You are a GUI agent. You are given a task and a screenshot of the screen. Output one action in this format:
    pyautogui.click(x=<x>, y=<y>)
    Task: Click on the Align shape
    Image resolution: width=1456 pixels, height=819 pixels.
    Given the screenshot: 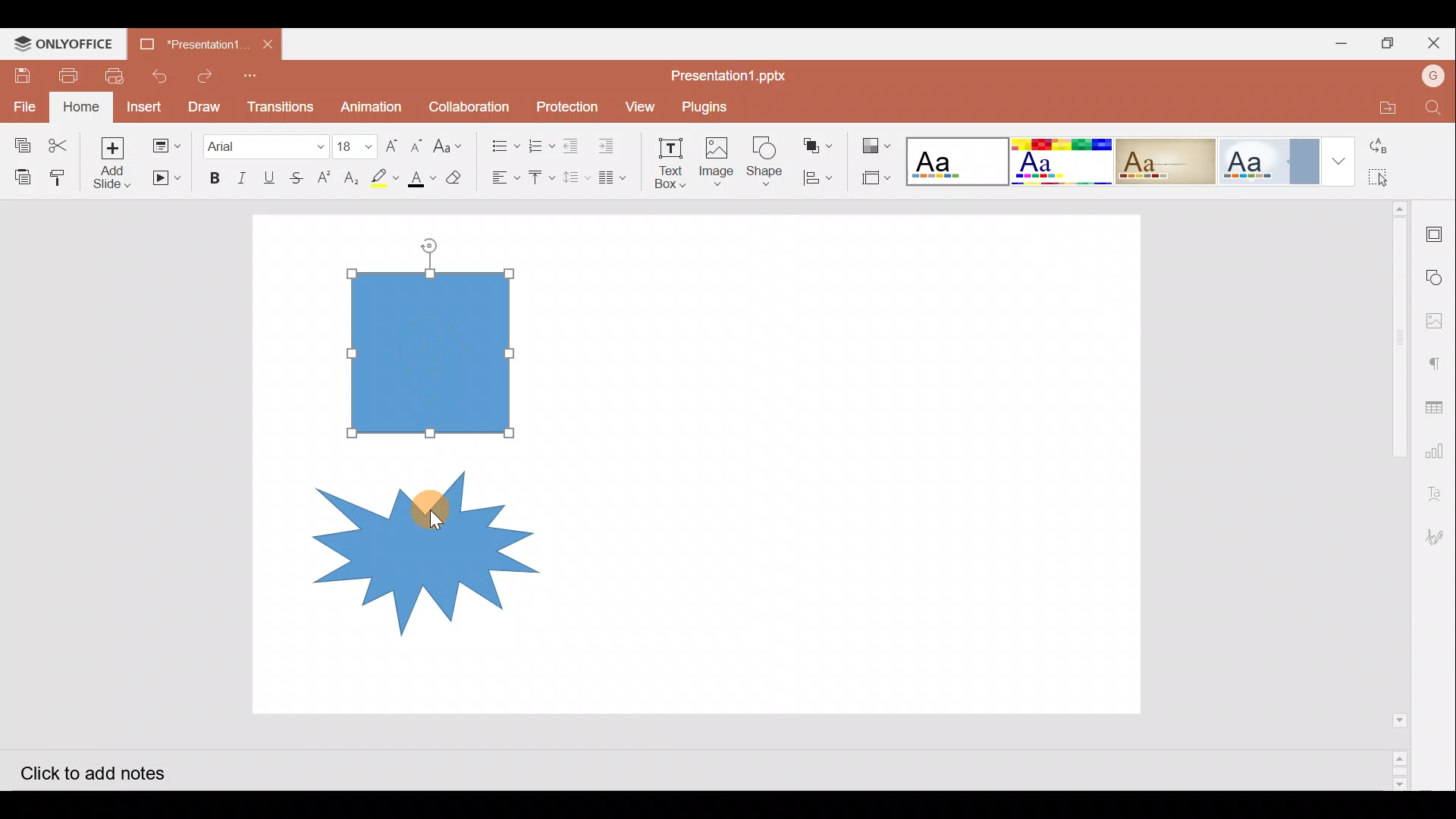 What is the action you would take?
    pyautogui.click(x=821, y=177)
    